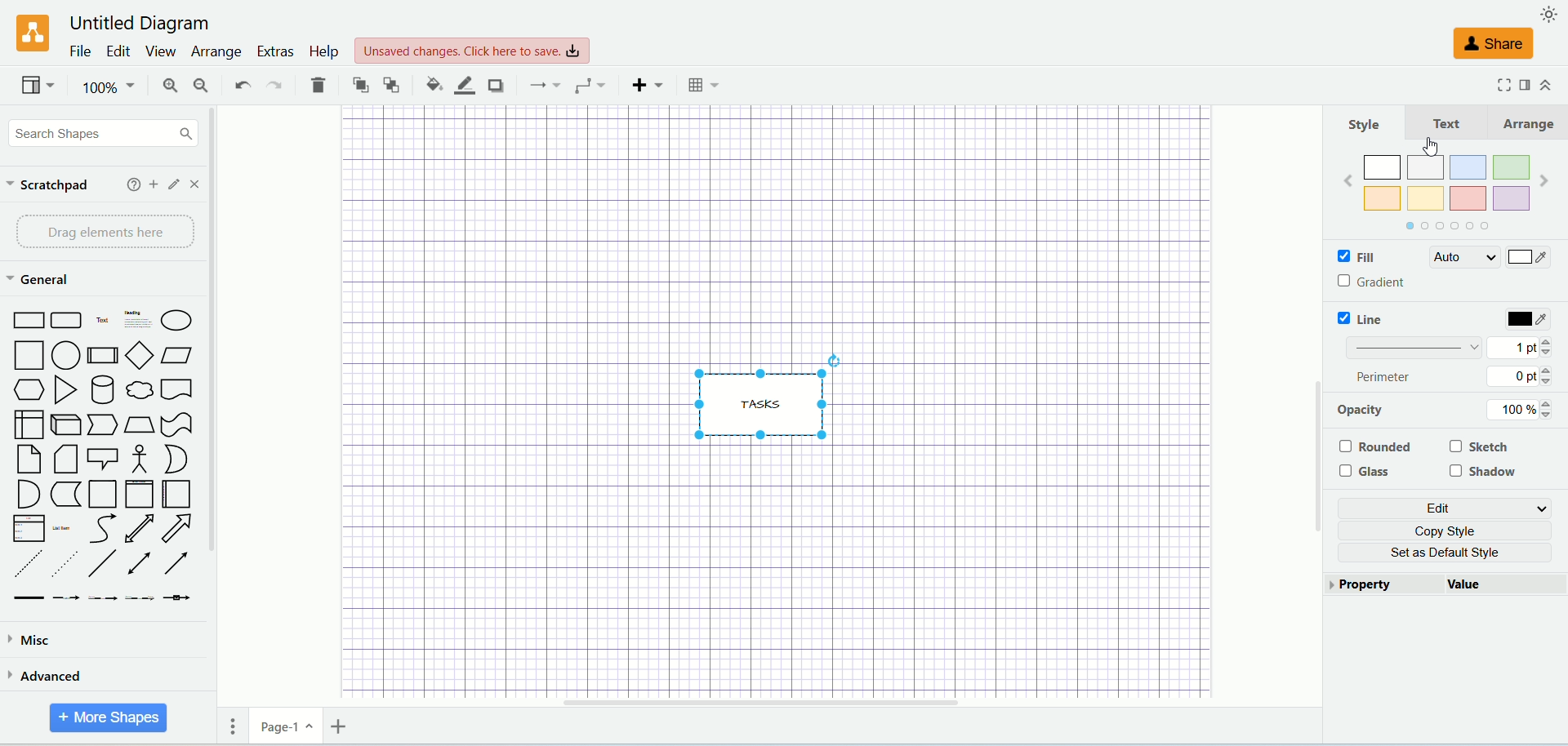 The height and width of the screenshot is (746, 1568). I want to click on sketch, so click(1481, 448).